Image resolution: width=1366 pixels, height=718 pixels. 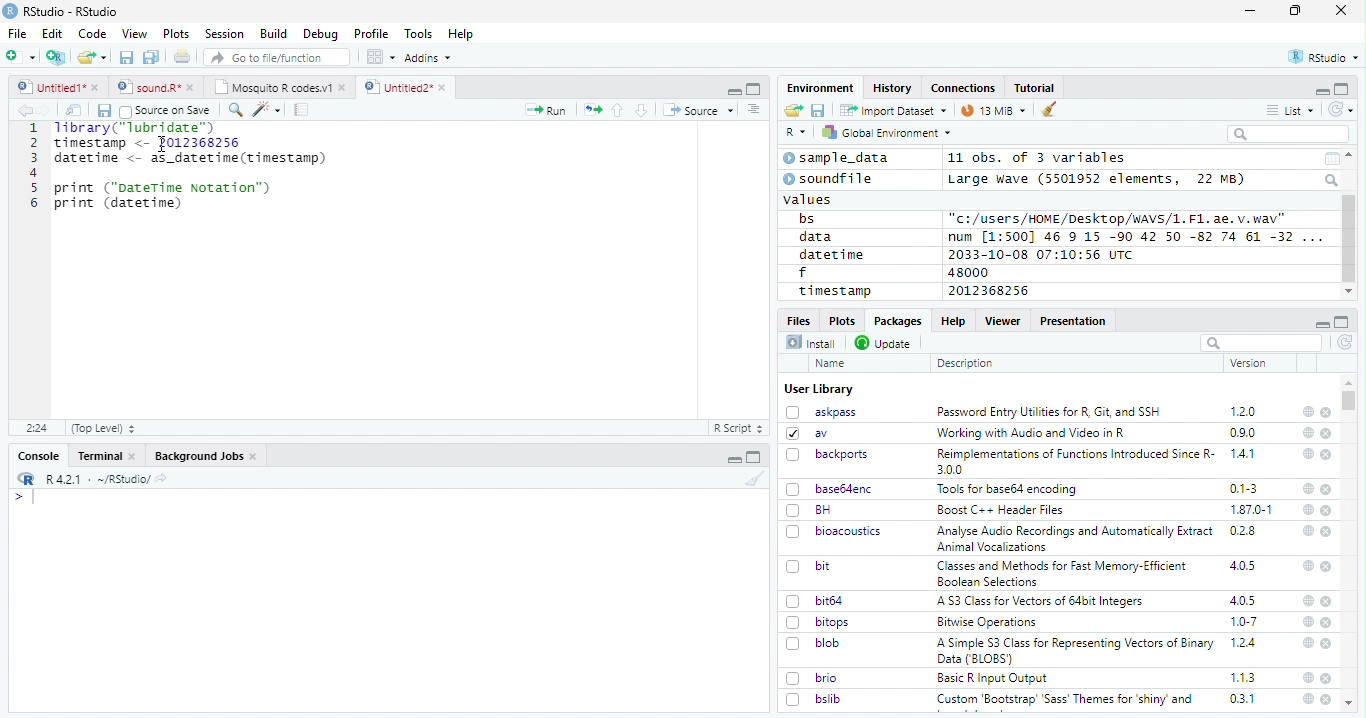 I want to click on Terminal, so click(x=106, y=456).